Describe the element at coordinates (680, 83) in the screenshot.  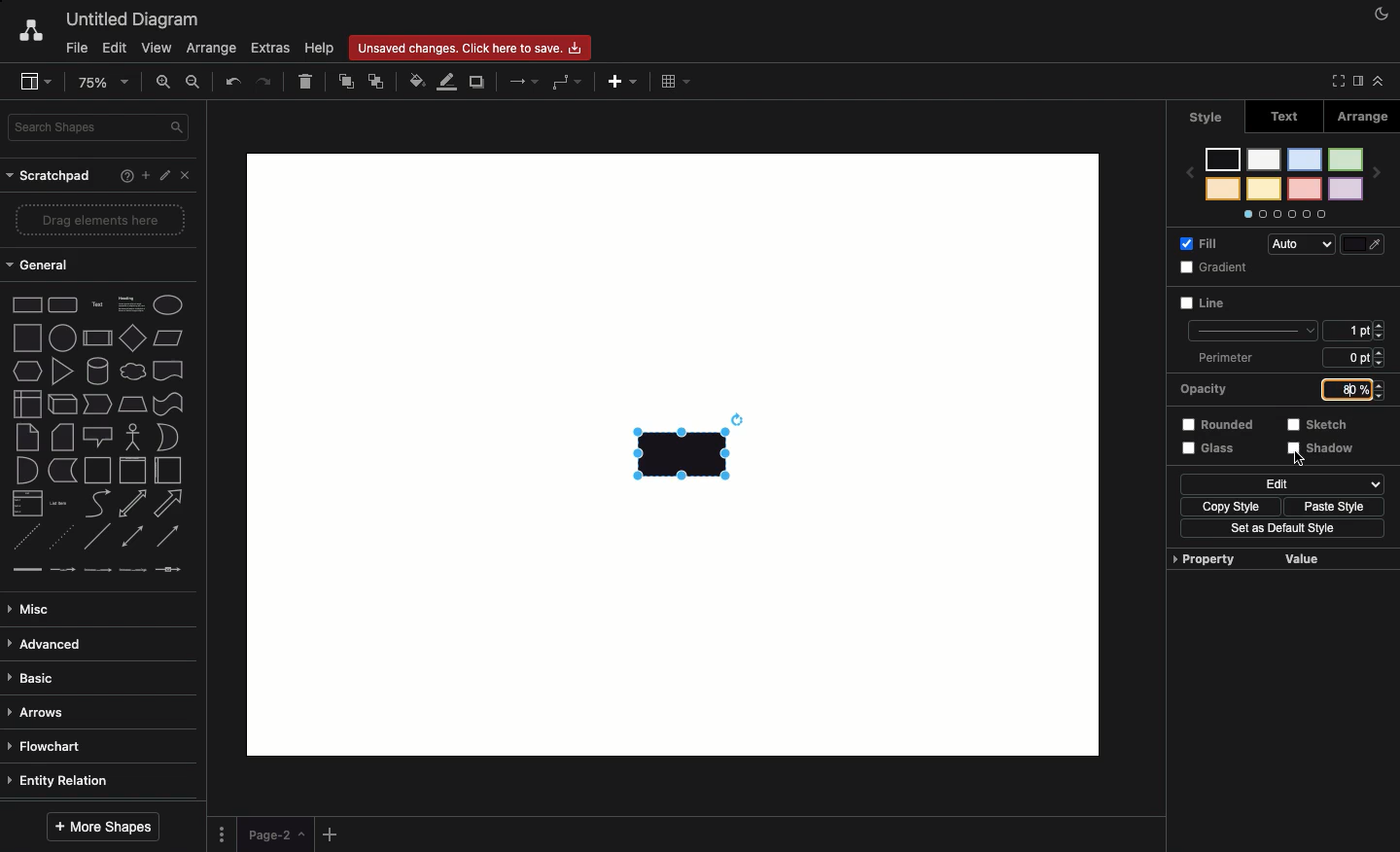
I see `Table` at that location.